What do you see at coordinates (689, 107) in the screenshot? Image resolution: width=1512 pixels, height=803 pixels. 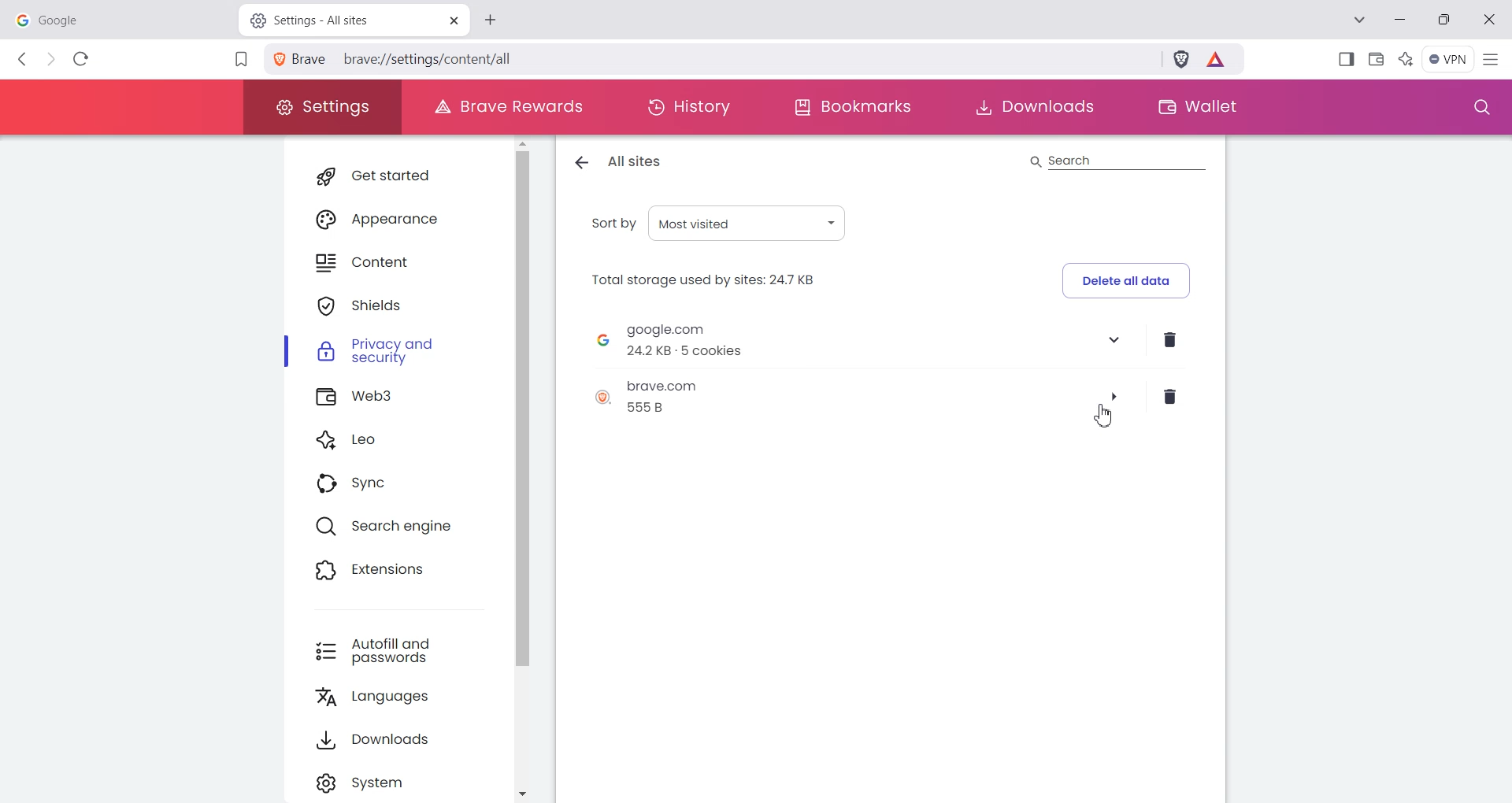 I see `History` at bounding box center [689, 107].